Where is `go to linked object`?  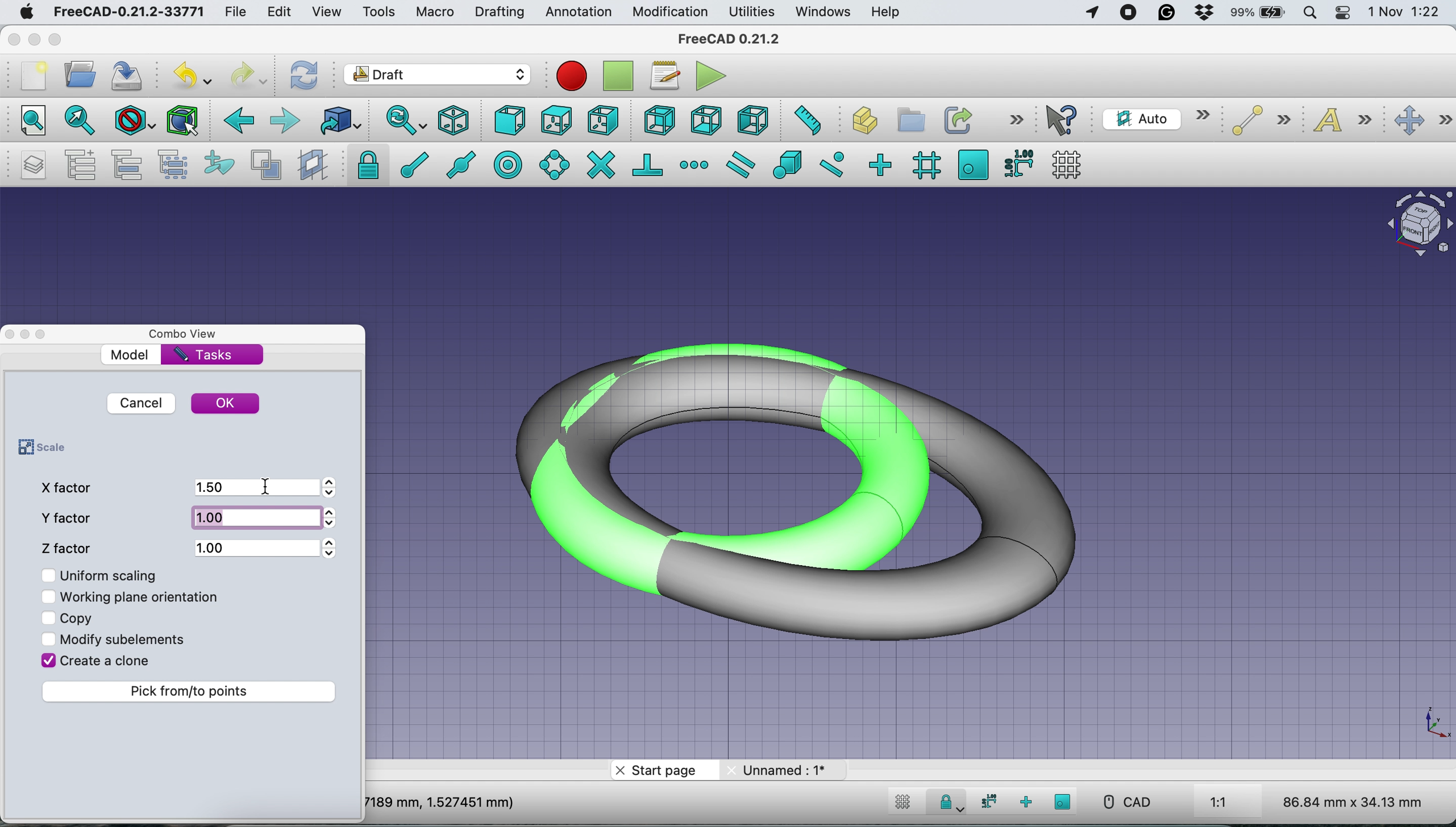
go to linked object is located at coordinates (339, 120).